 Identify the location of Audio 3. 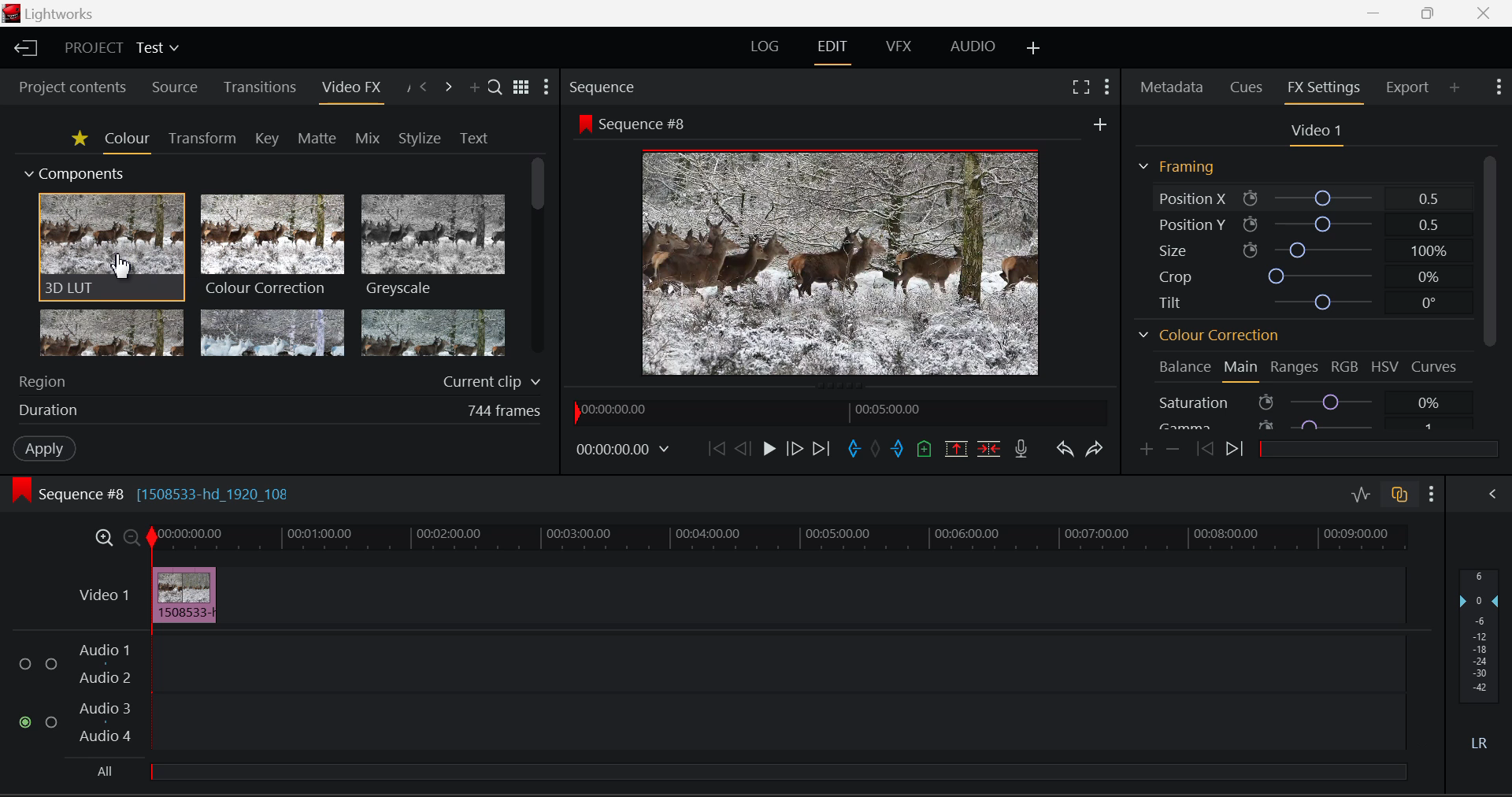
(107, 708).